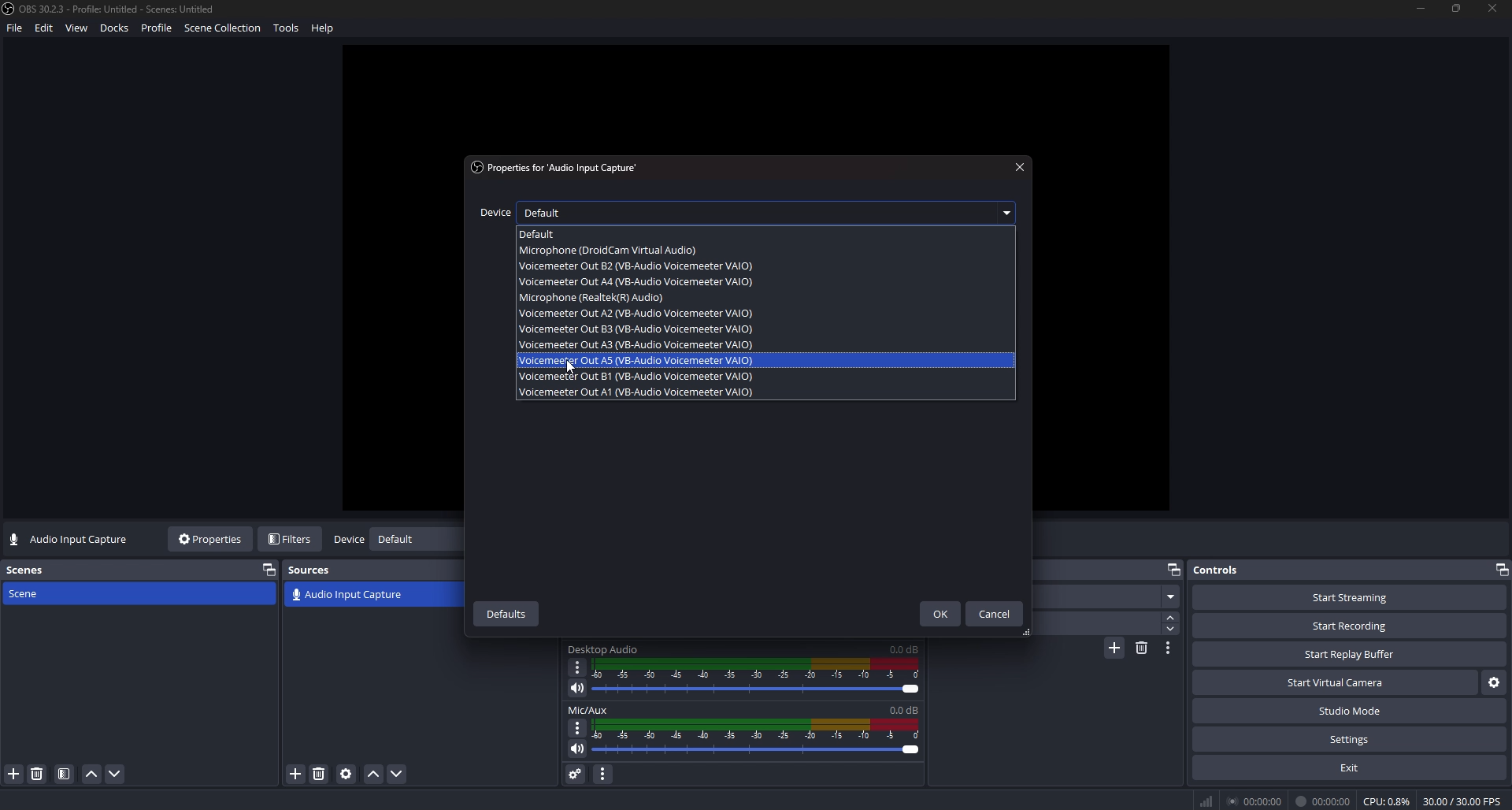 This screenshot has width=1512, height=810. Describe the element at coordinates (41, 593) in the screenshot. I see `scene` at that location.